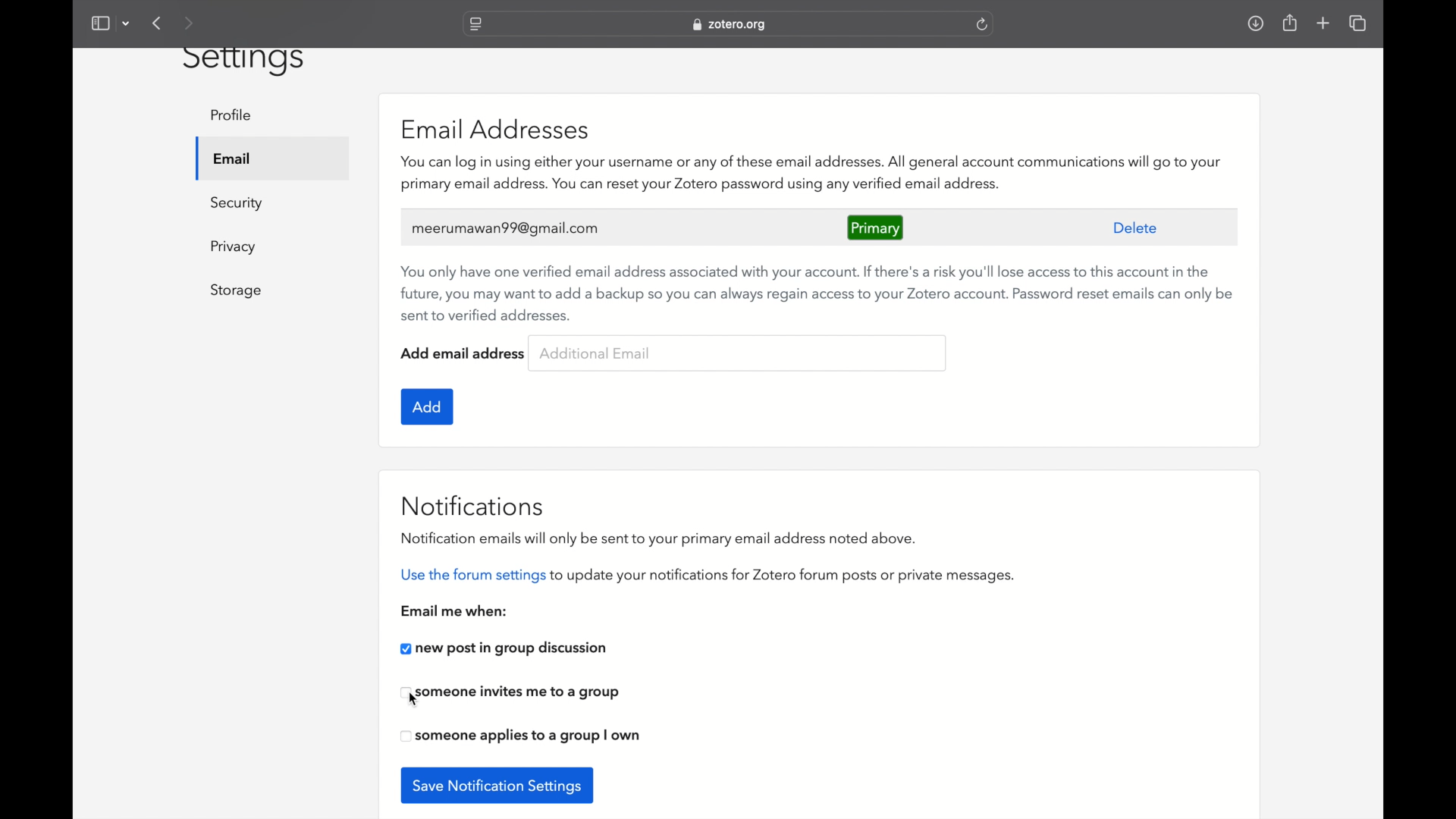  I want to click on scroll box, so click(1377, 402).